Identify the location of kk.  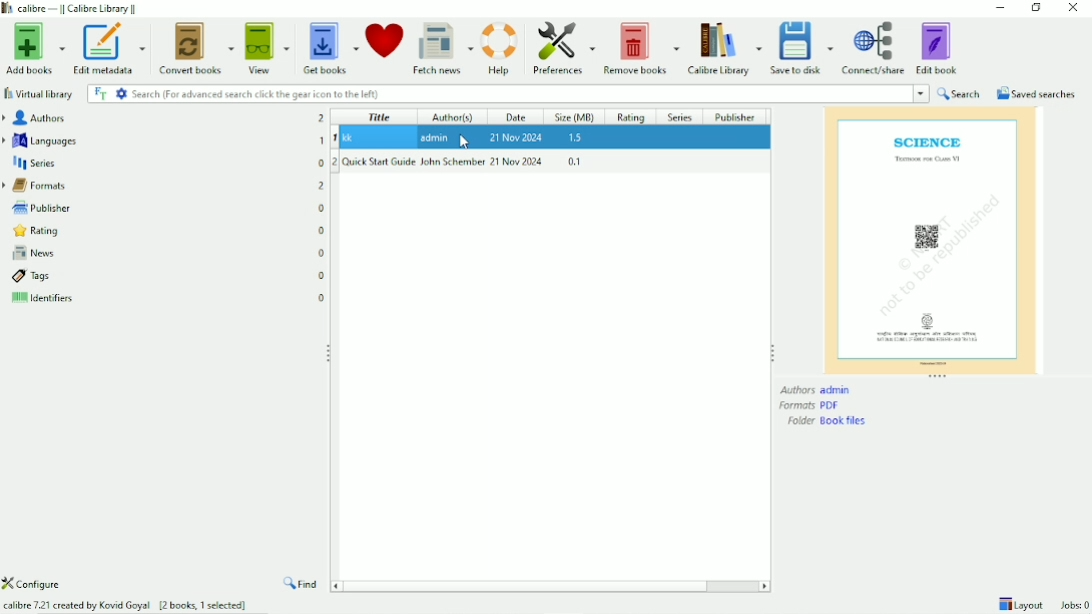
(552, 138).